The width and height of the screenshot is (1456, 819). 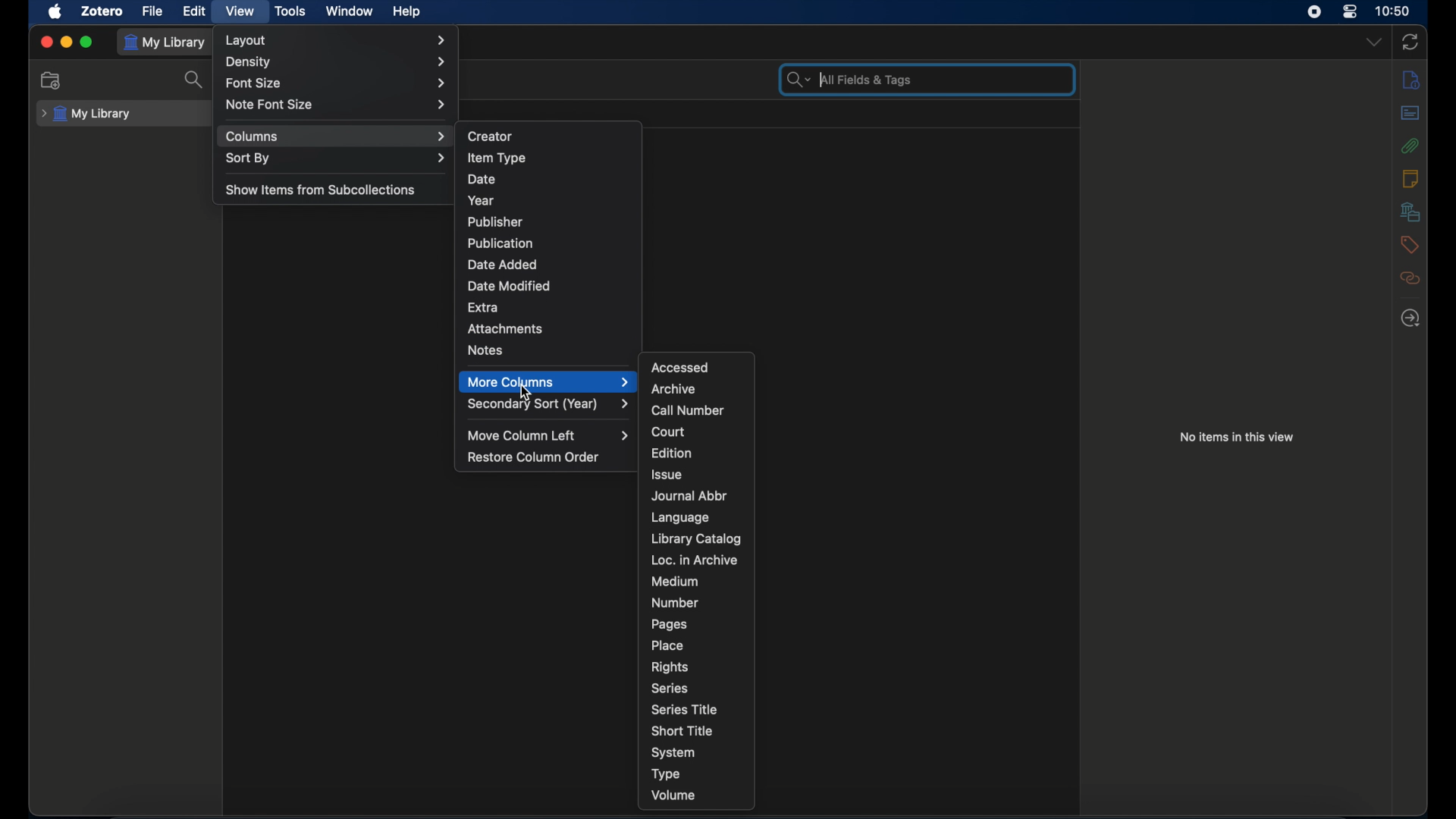 I want to click on search, so click(x=196, y=80).